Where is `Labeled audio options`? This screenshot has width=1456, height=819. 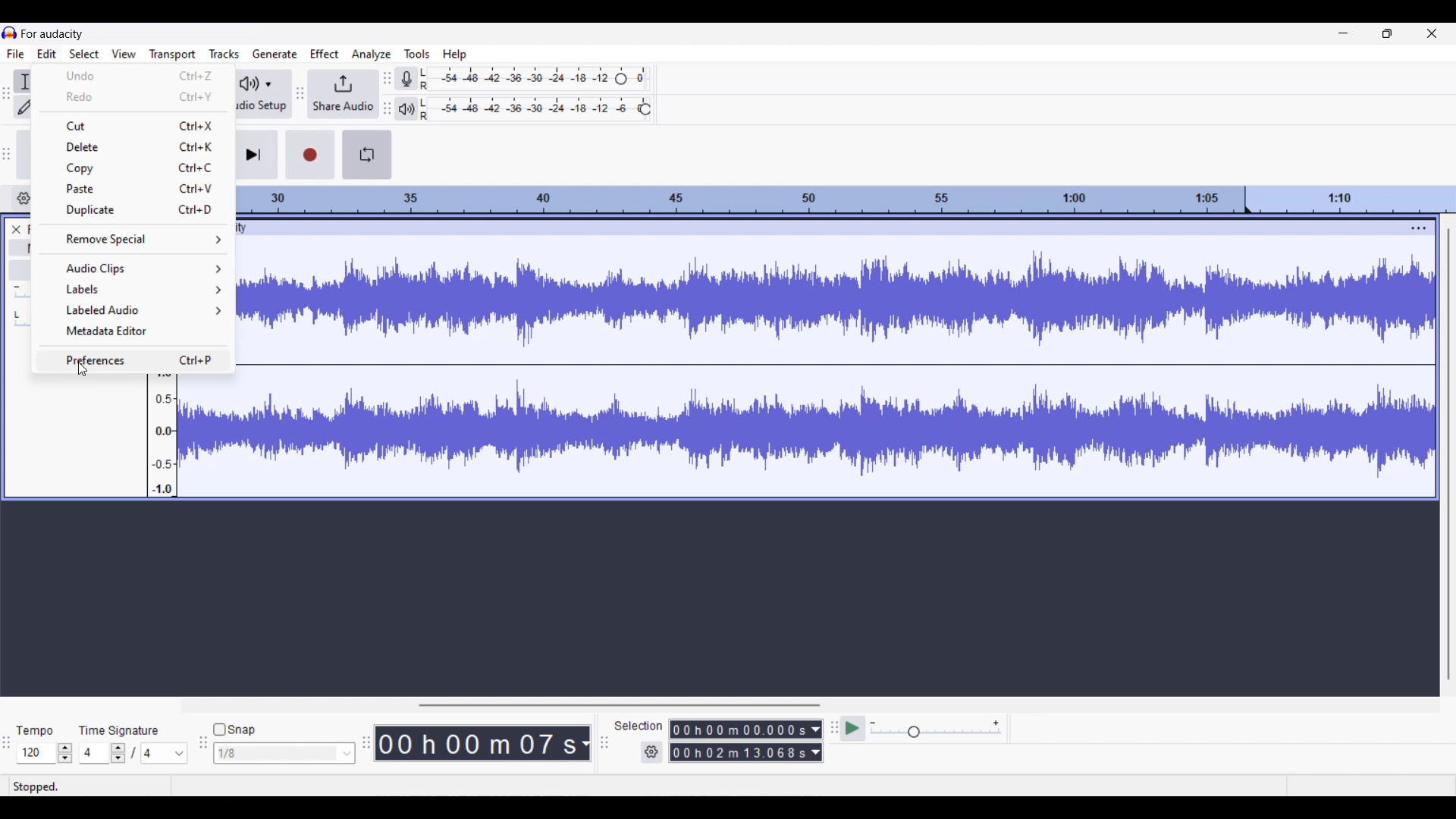 Labeled audio options is located at coordinates (133, 311).